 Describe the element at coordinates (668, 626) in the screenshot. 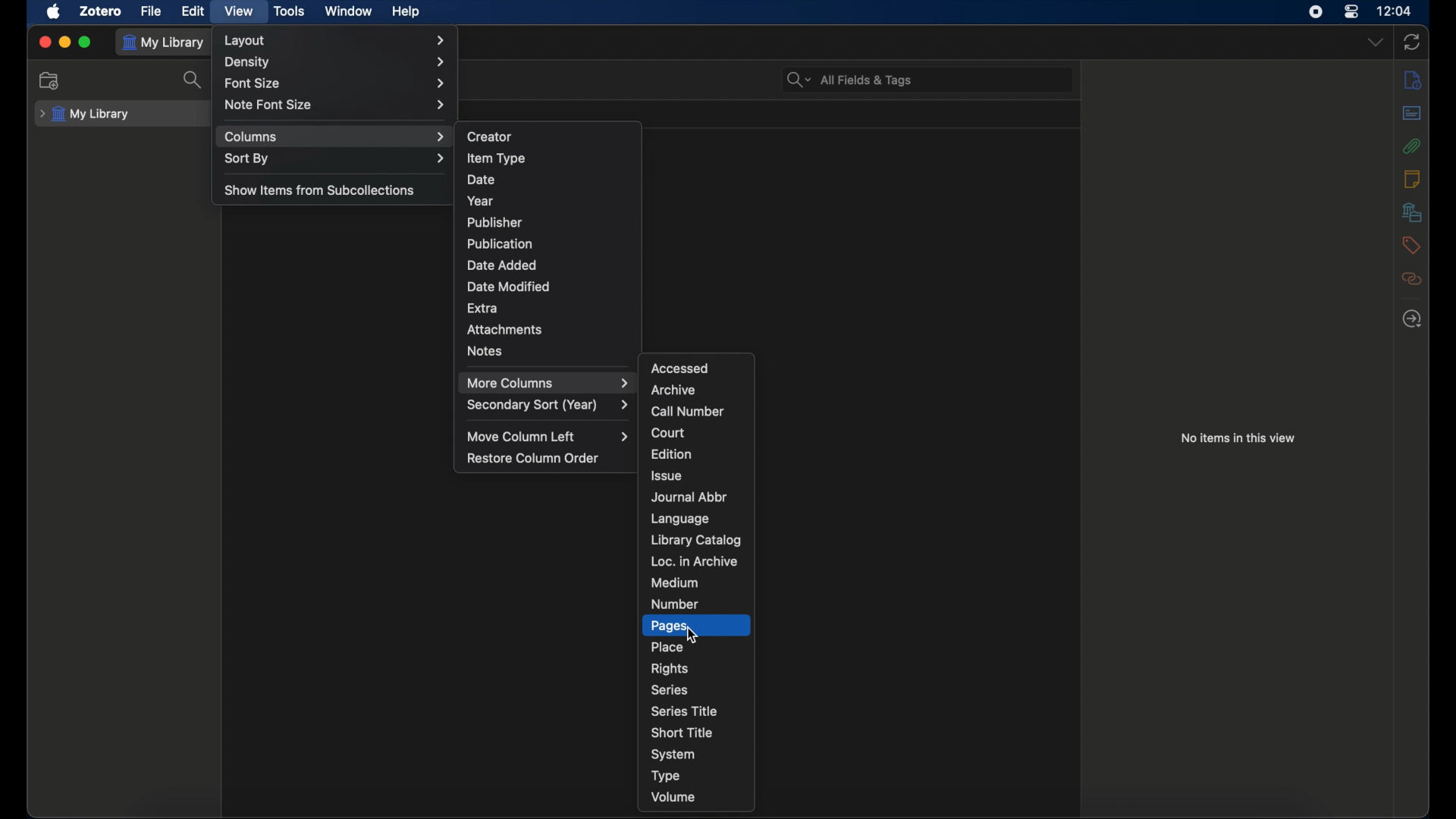

I see `pages` at that location.